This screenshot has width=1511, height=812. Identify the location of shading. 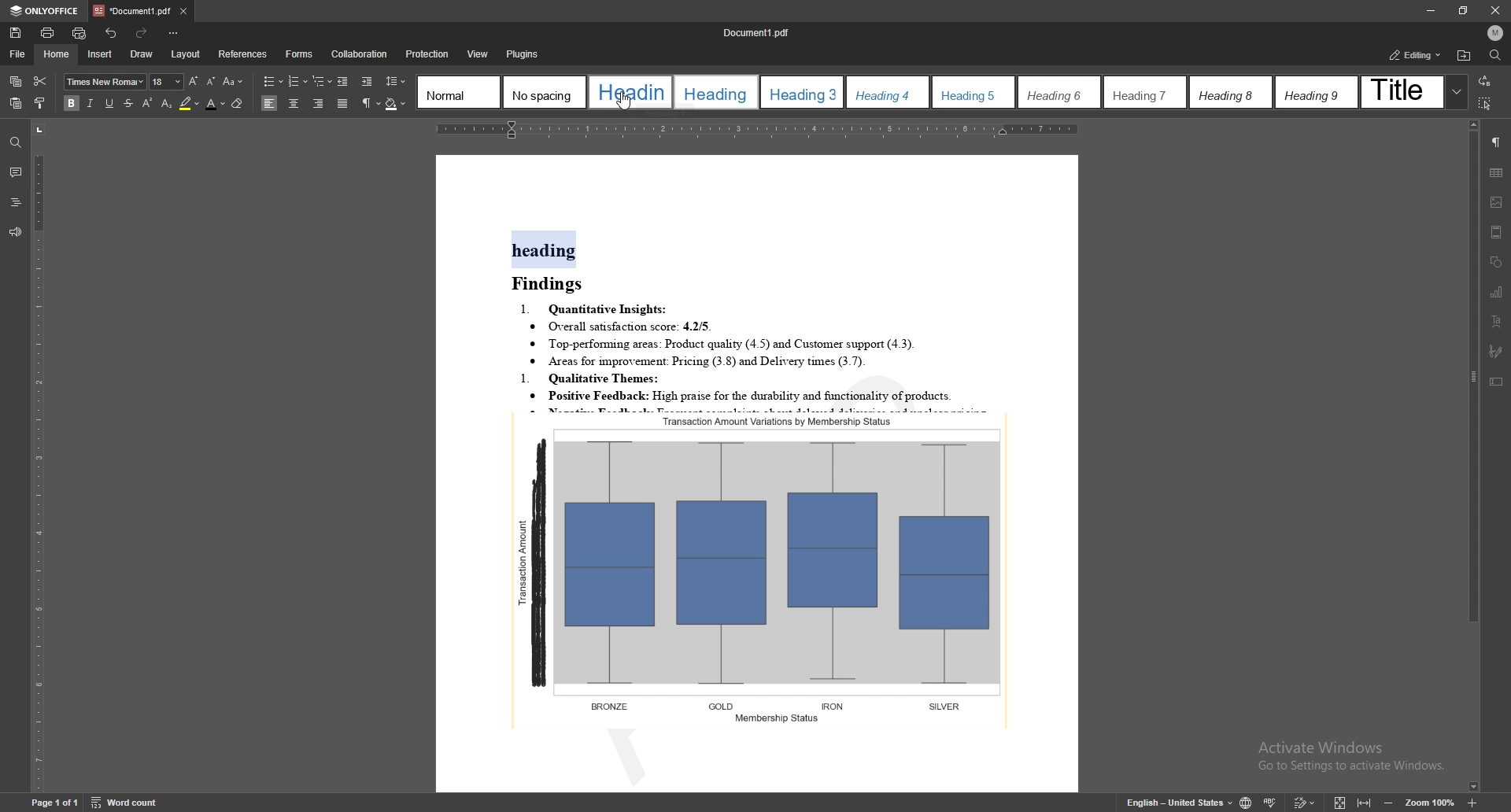
(396, 105).